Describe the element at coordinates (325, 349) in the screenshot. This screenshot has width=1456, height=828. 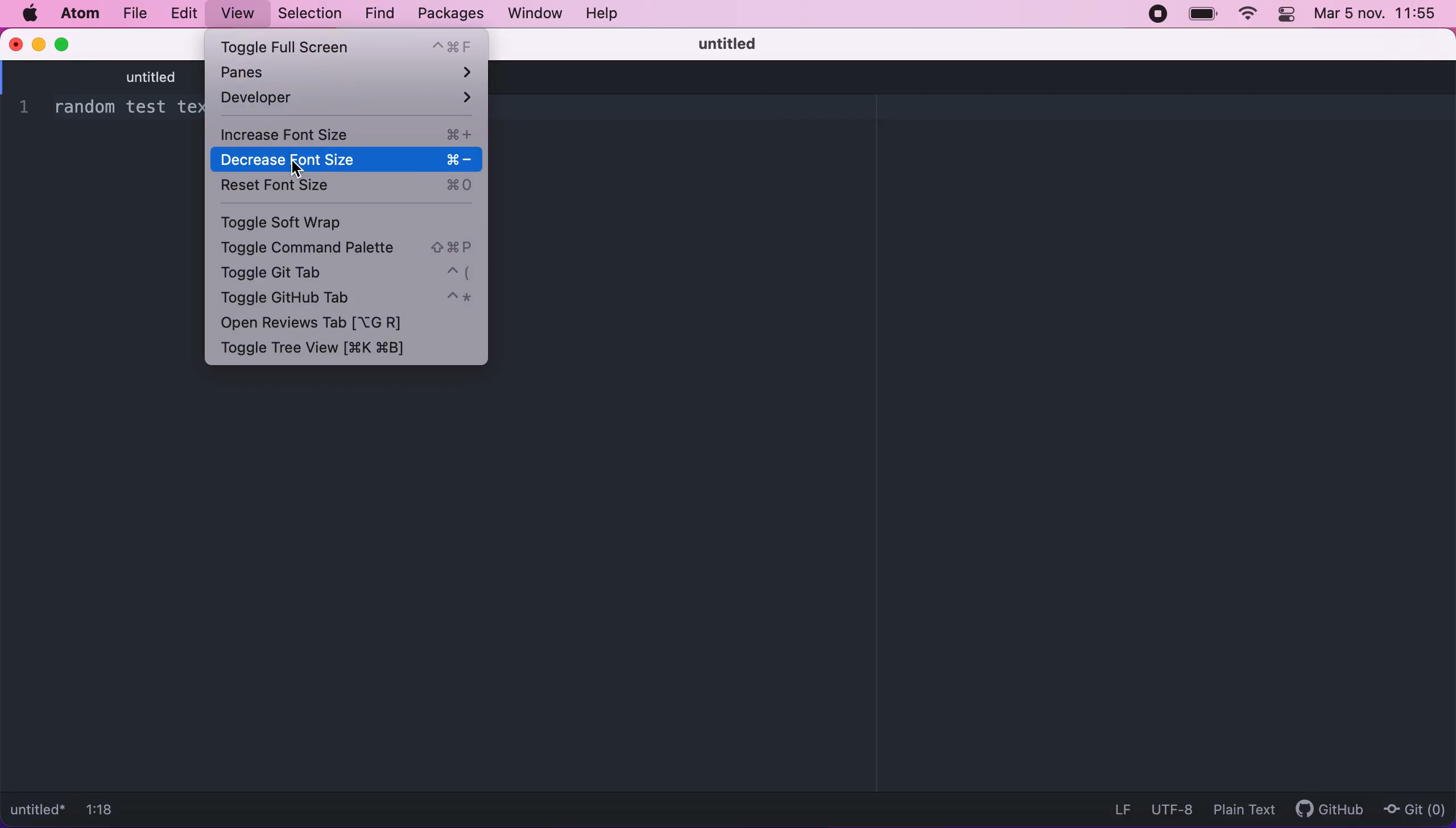
I see `toggle tree view` at that location.